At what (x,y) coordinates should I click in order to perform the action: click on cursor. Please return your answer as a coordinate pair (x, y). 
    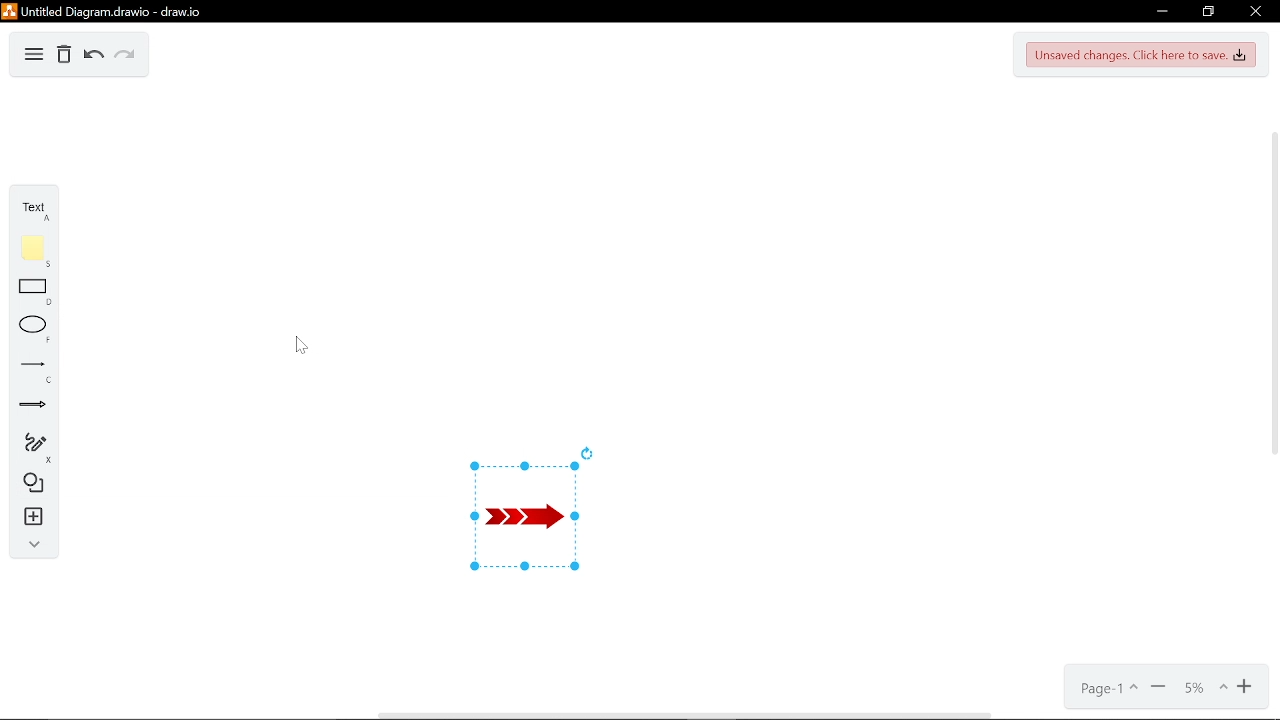
    Looking at the image, I should click on (303, 343).